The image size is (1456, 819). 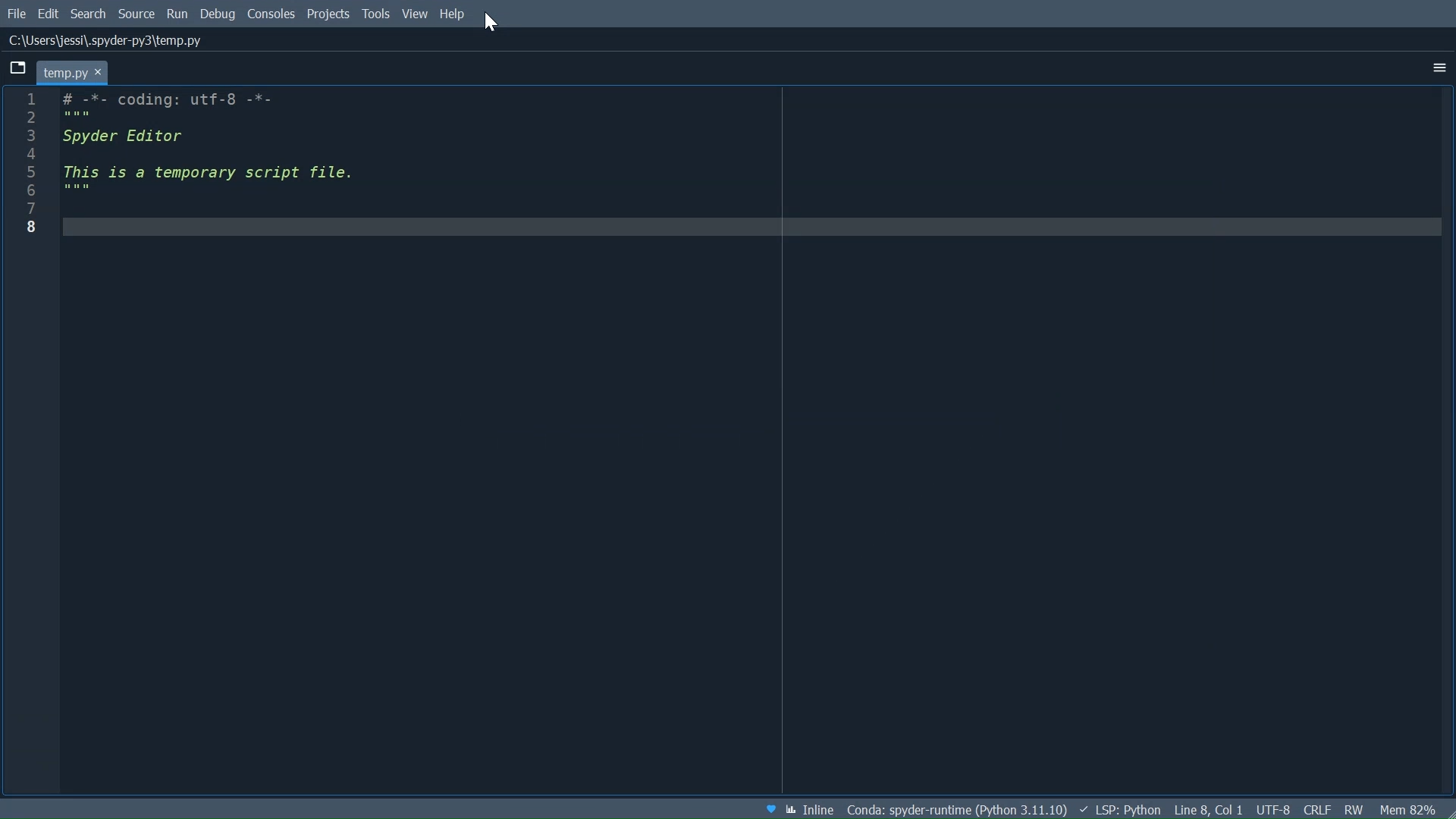 I want to click on Cursor, so click(x=494, y=28).